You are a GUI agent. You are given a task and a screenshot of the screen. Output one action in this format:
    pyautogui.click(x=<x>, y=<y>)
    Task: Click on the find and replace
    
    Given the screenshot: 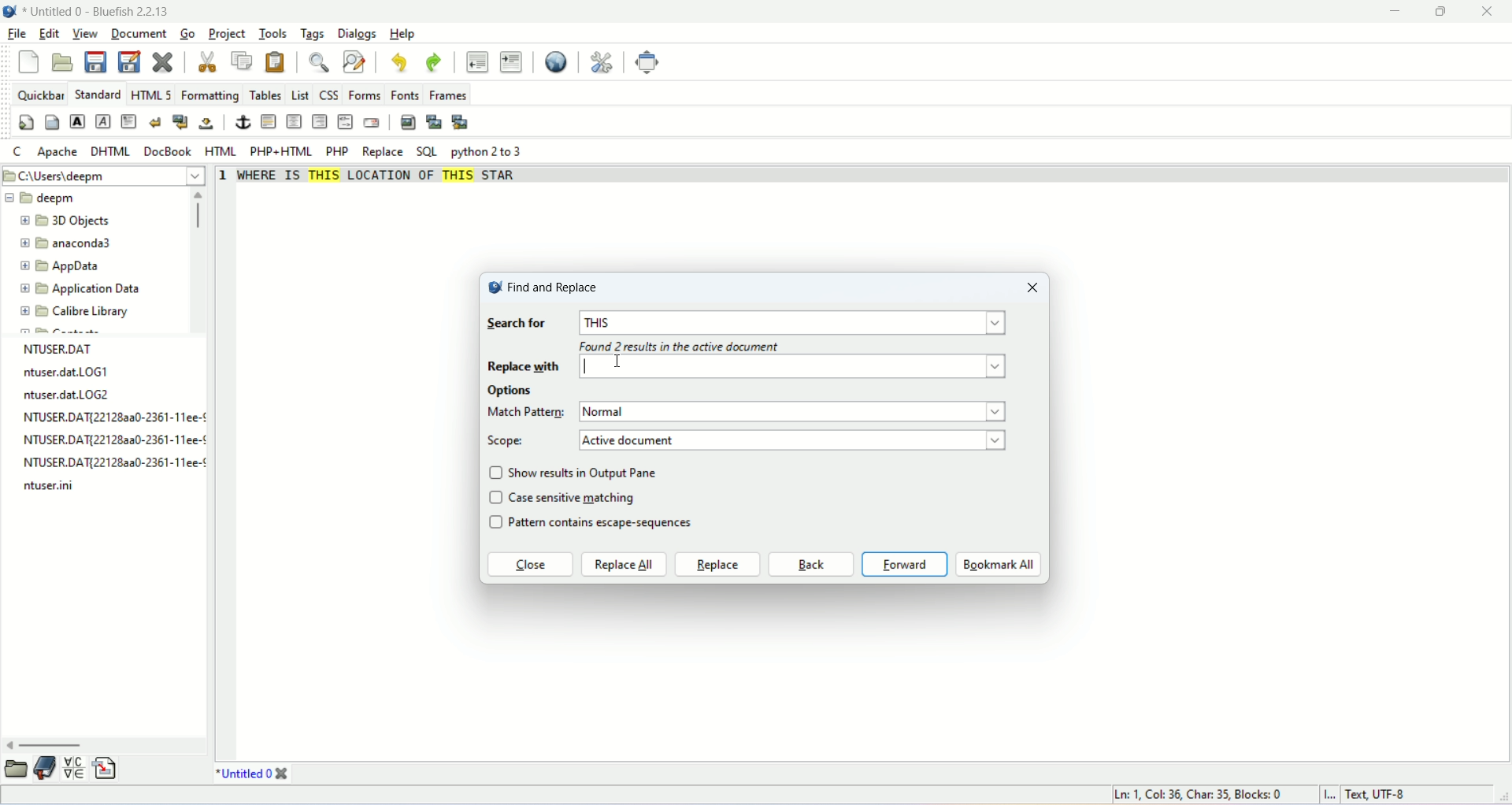 What is the action you would take?
    pyautogui.click(x=543, y=286)
    